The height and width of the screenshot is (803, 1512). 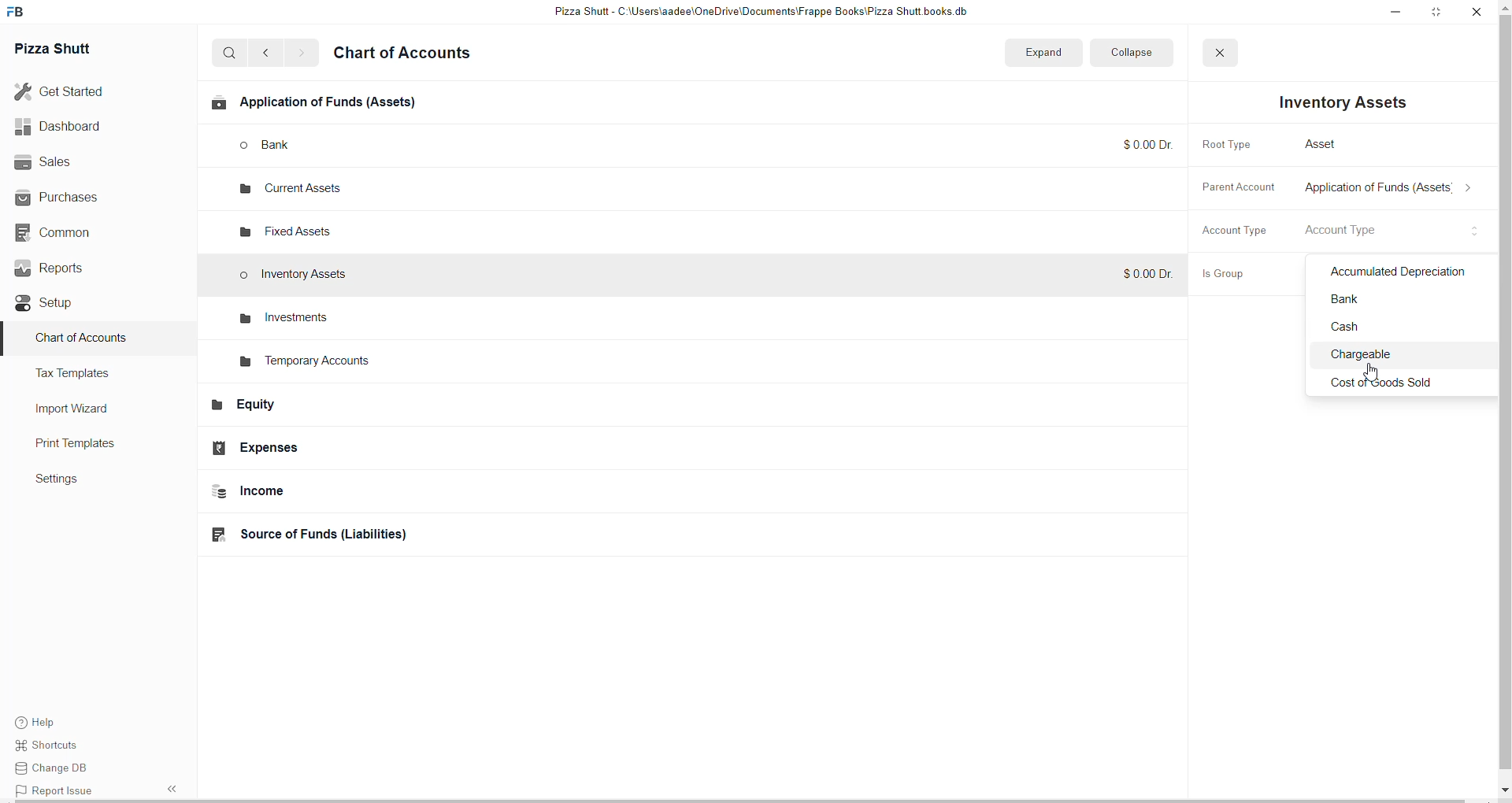 I want to click on Frappe Book Logo, so click(x=23, y=12).